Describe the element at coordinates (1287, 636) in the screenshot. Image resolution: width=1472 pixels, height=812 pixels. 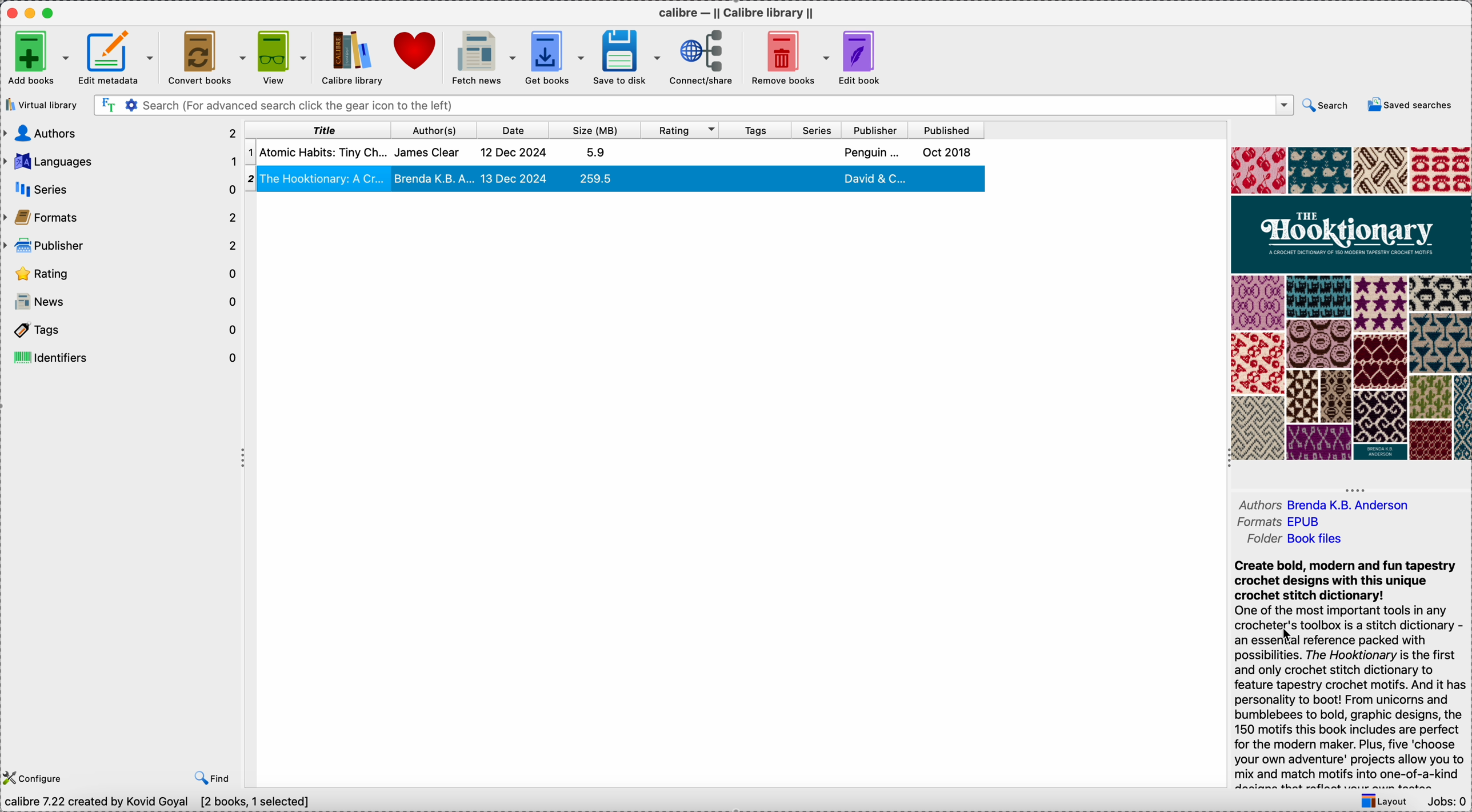
I see `cursor` at that location.